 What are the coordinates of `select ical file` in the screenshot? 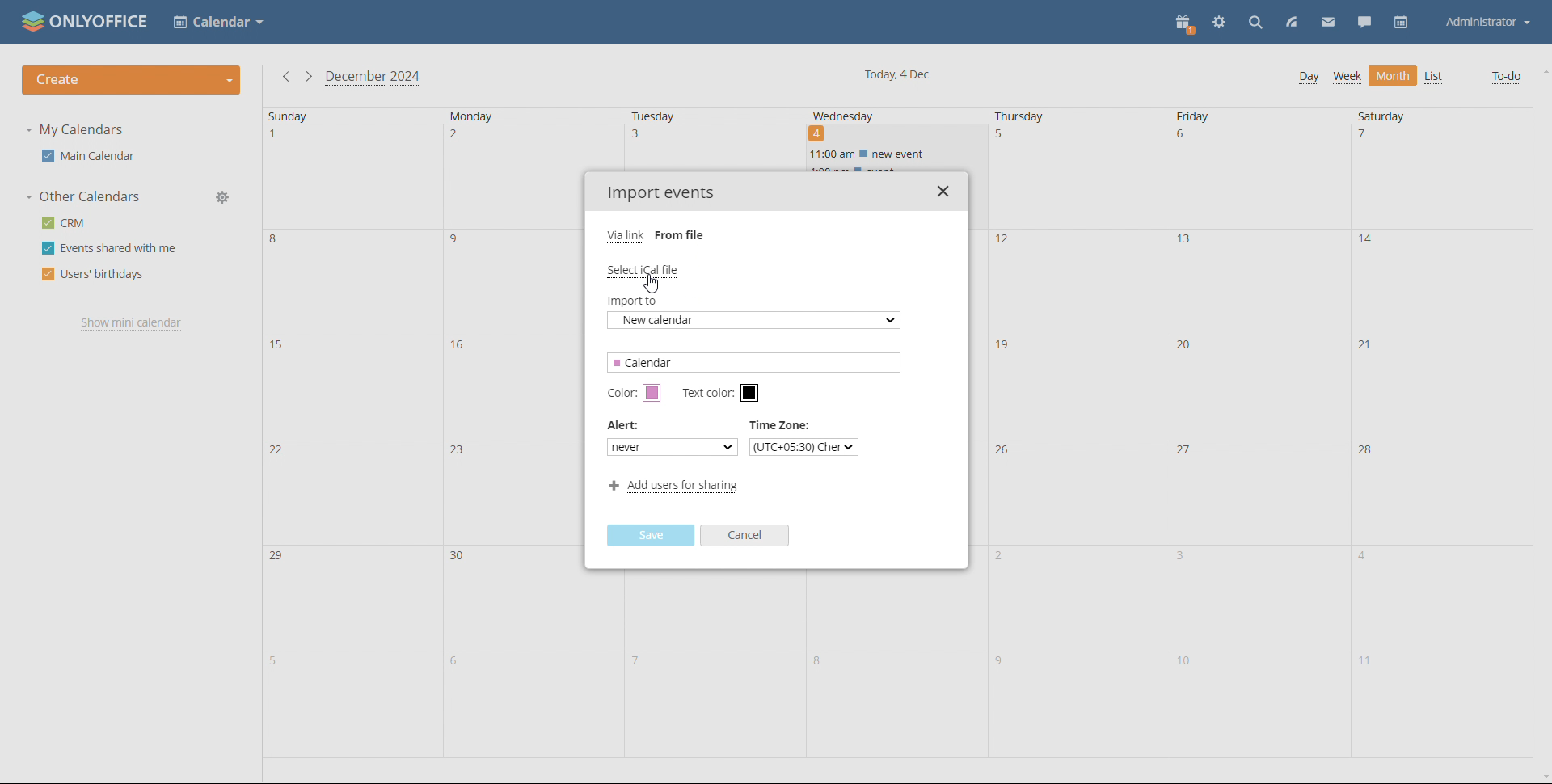 It's located at (642, 272).